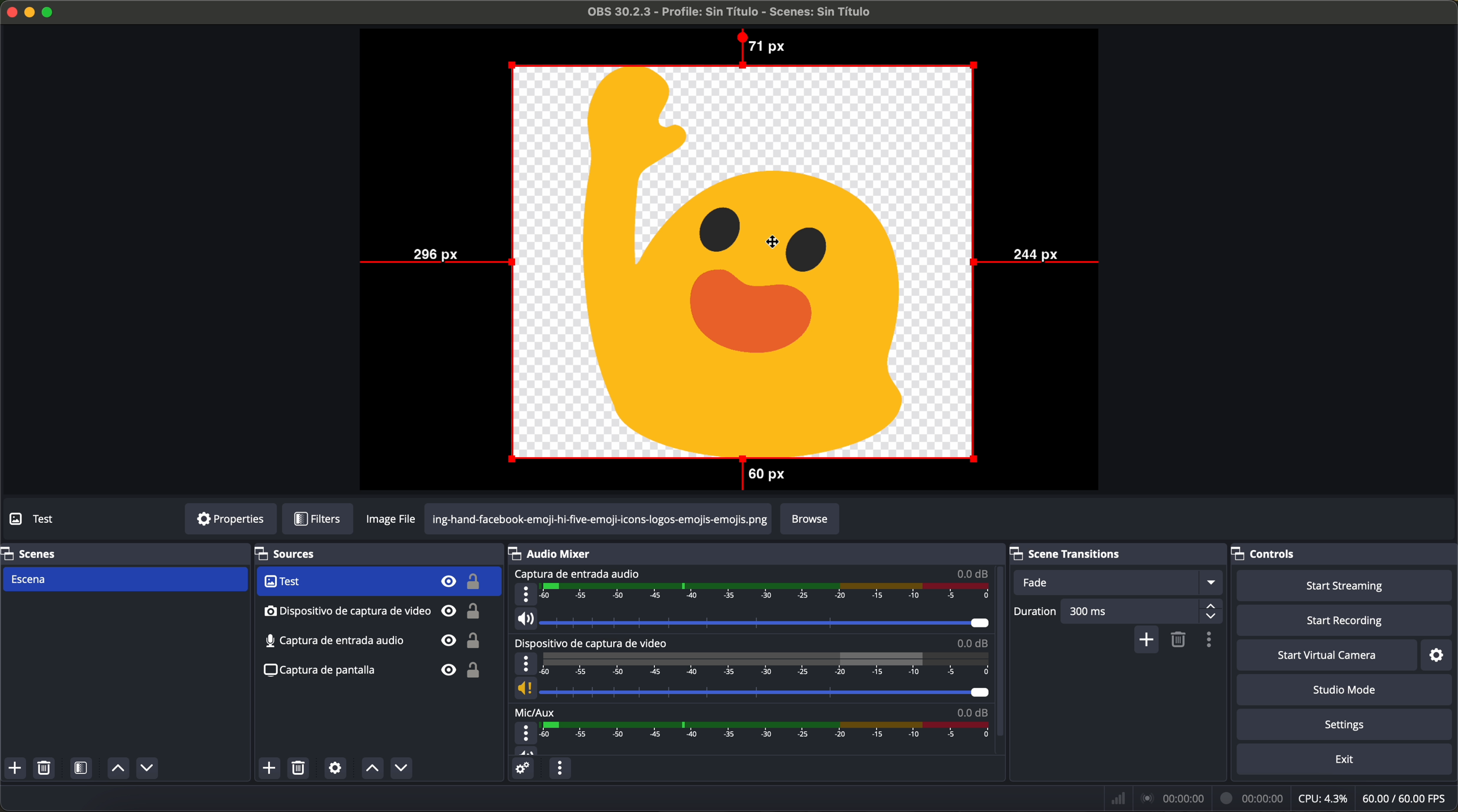 This screenshot has height=812, width=1458. Describe the element at coordinates (317, 519) in the screenshot. I see `filters` at that location.